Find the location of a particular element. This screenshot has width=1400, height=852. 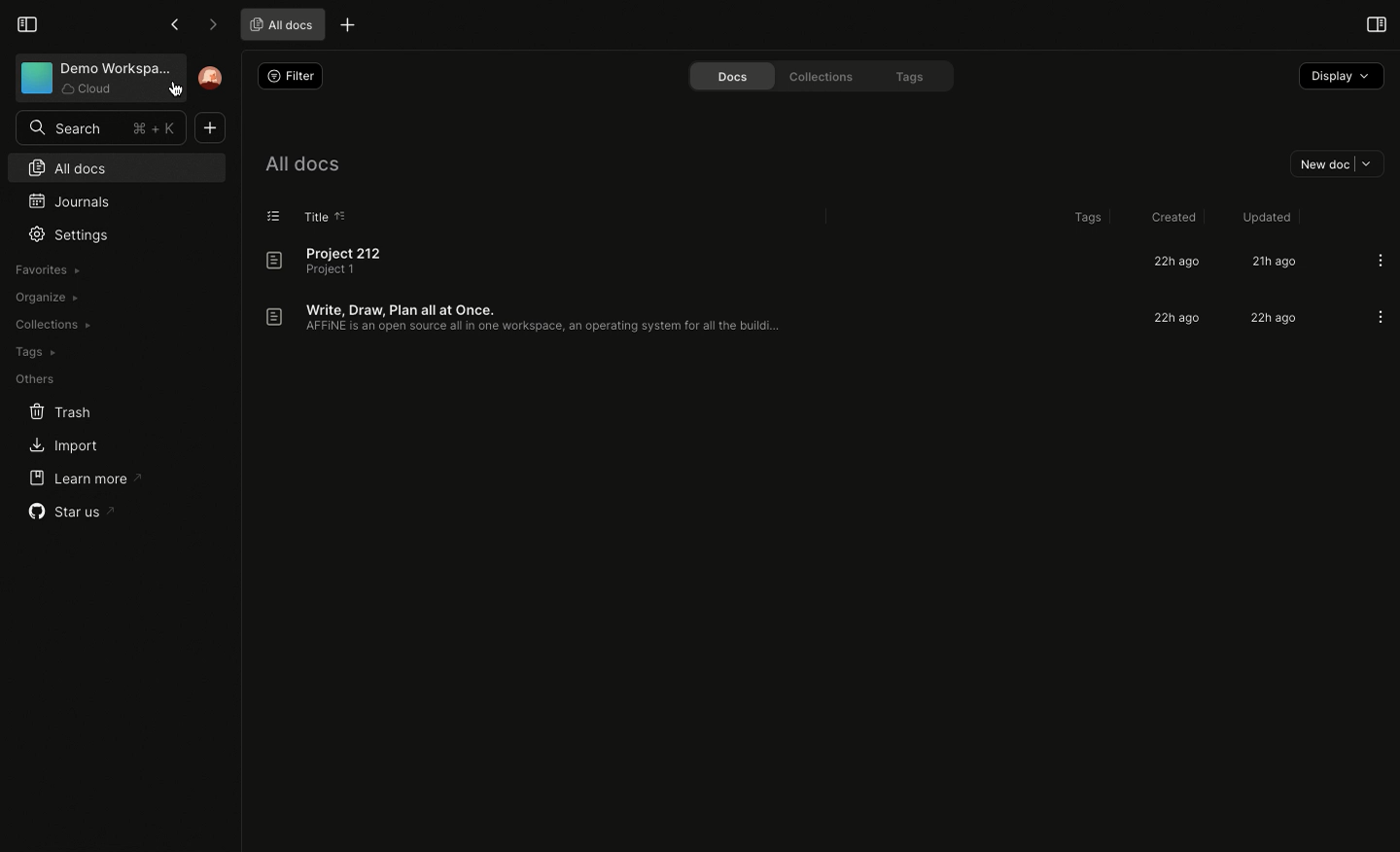

Options is located at coordinates (1380, 318).